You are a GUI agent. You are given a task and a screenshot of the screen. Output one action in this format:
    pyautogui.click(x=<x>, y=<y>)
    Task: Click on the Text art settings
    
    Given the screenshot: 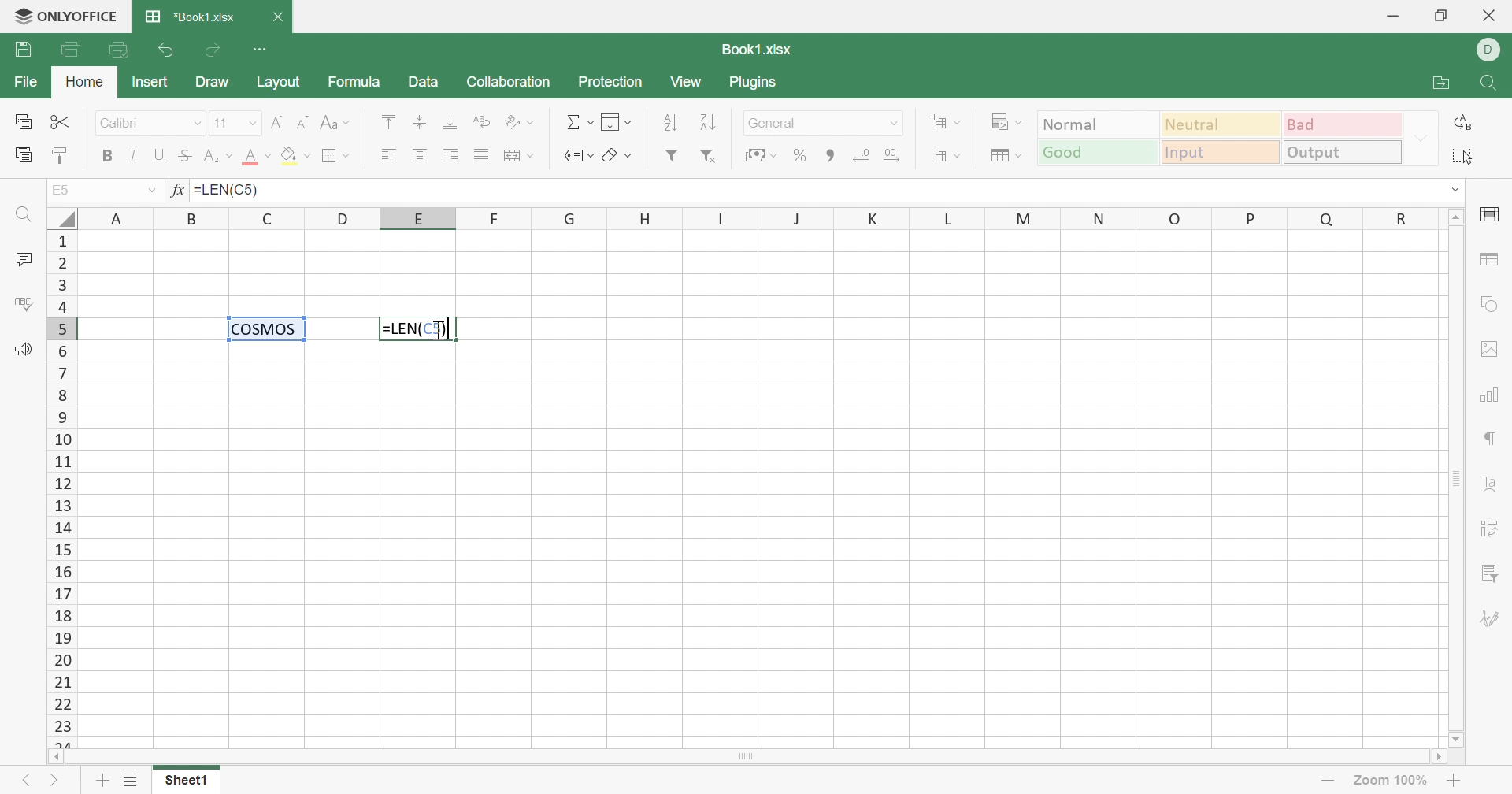 What is the action you would take?
    pyautogui.click(x=1488, y=483)
    